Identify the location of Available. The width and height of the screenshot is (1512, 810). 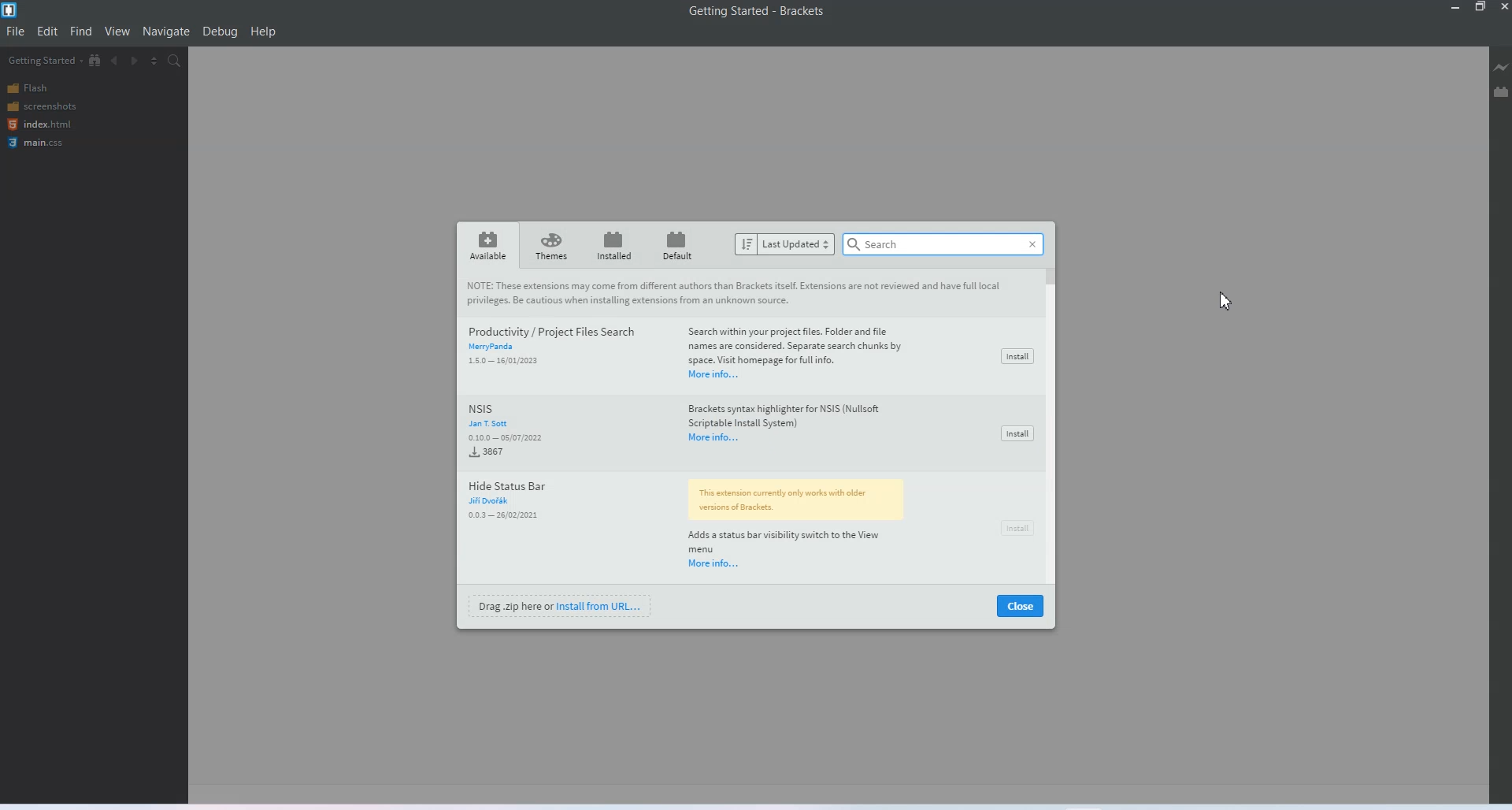
(487, 244).